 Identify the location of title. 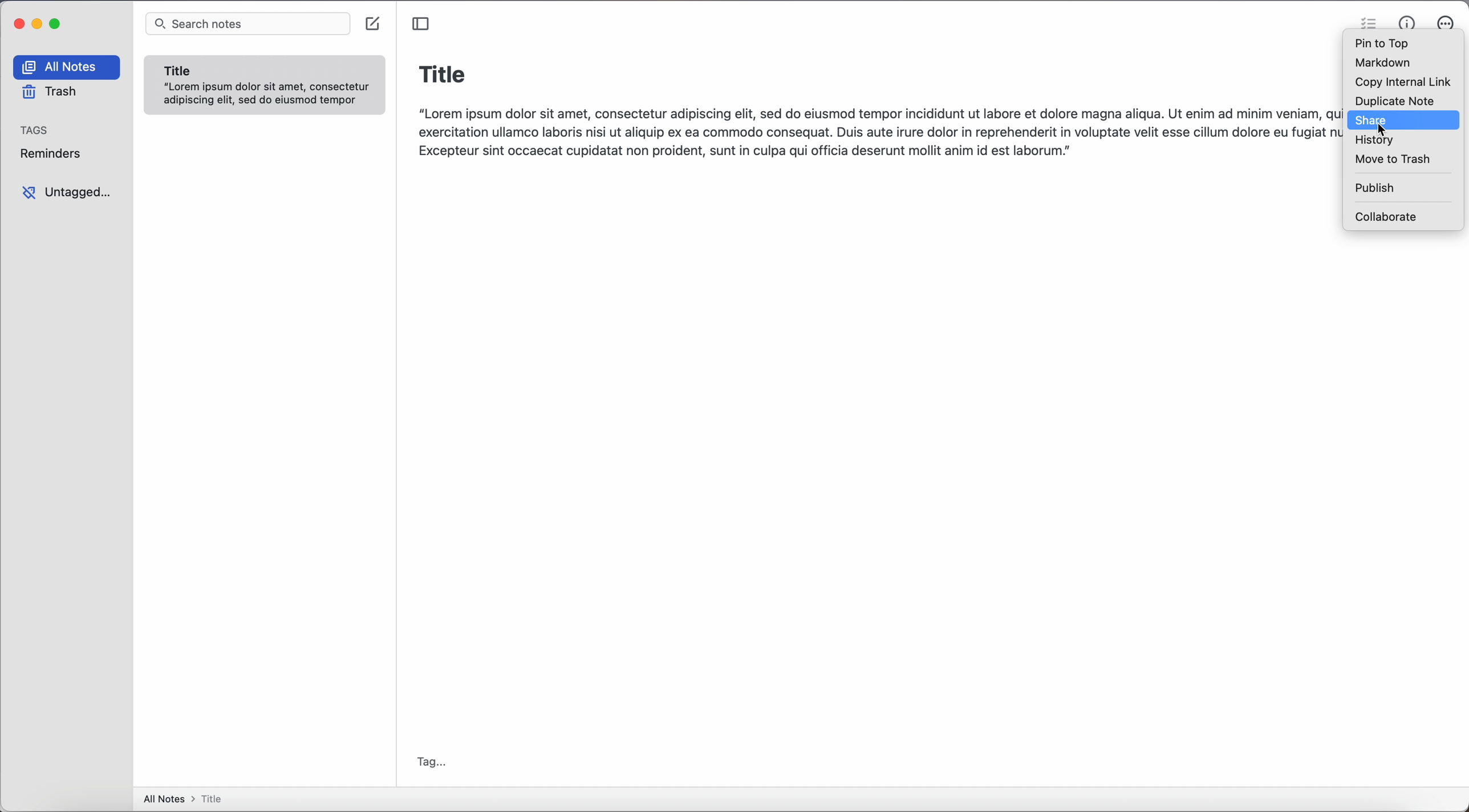
(443, 72).